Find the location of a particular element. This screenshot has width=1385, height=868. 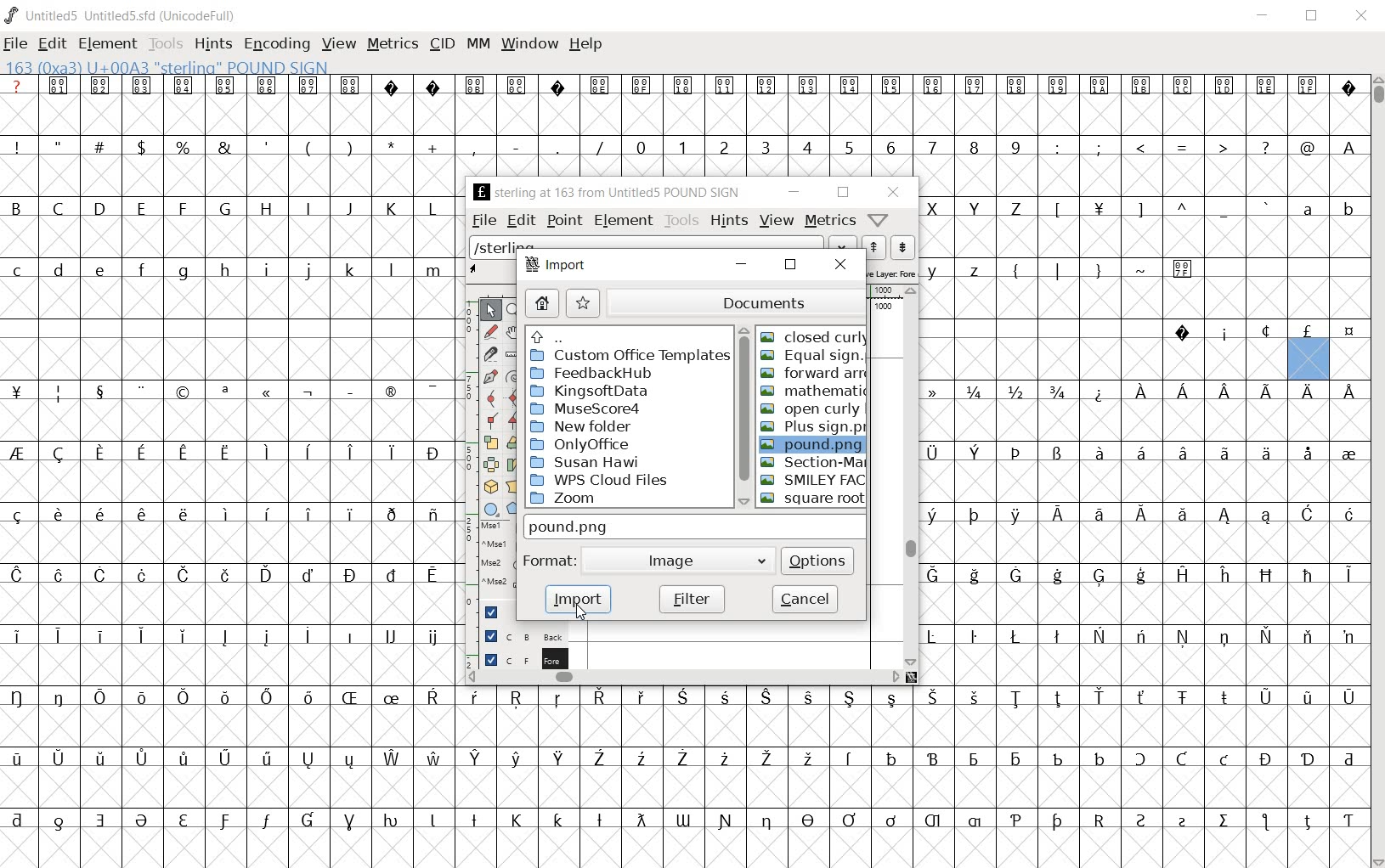

2 is located at coordinates (725, 146).